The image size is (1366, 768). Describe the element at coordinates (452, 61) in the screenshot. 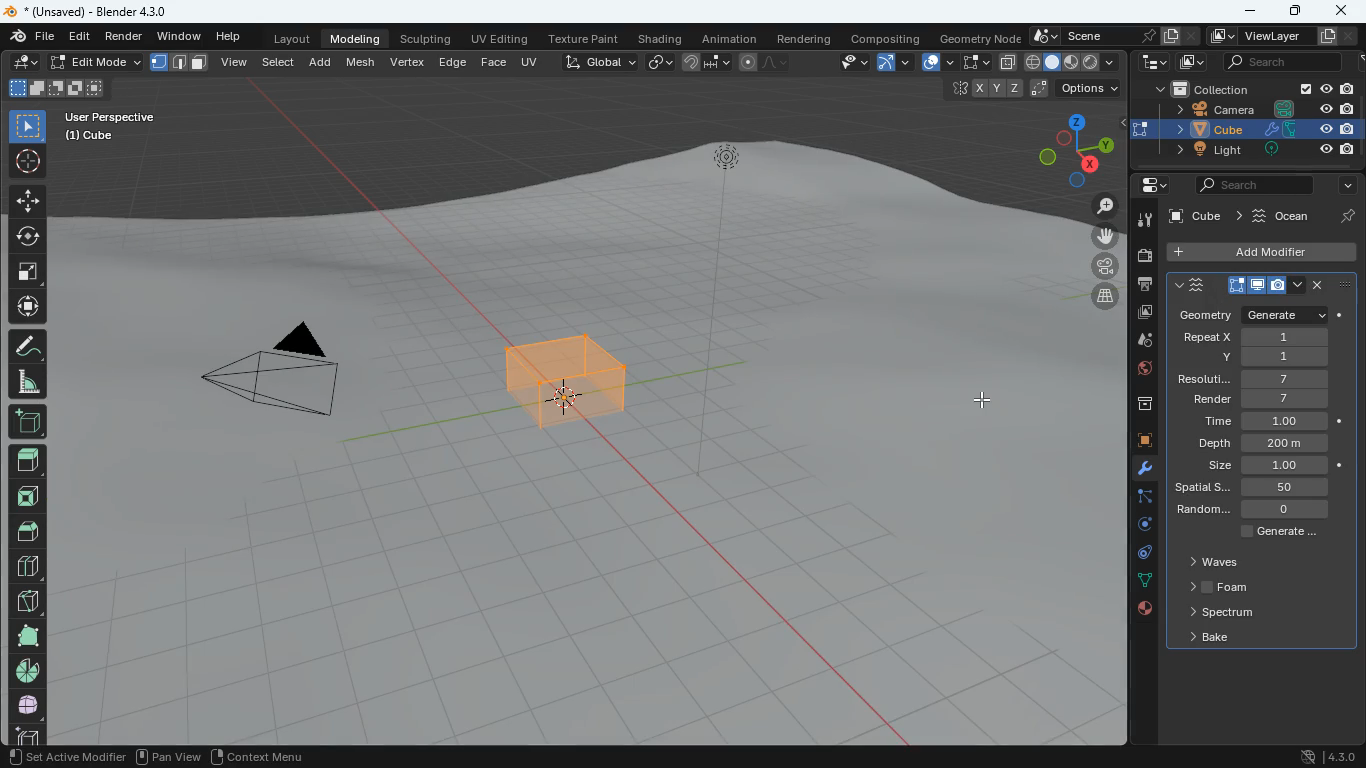

I see `edge` at that location.